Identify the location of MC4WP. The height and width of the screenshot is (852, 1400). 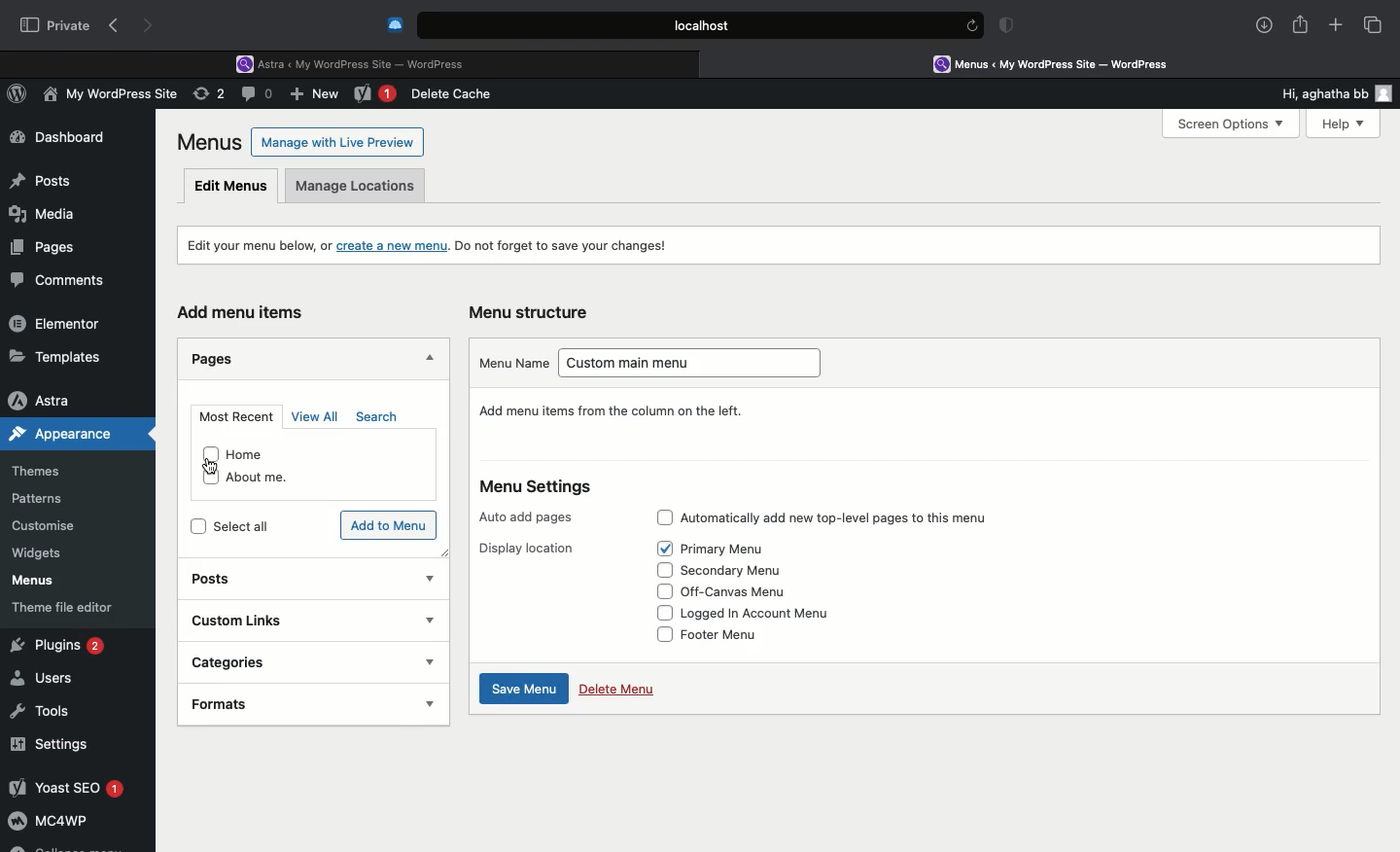
(49, 824).